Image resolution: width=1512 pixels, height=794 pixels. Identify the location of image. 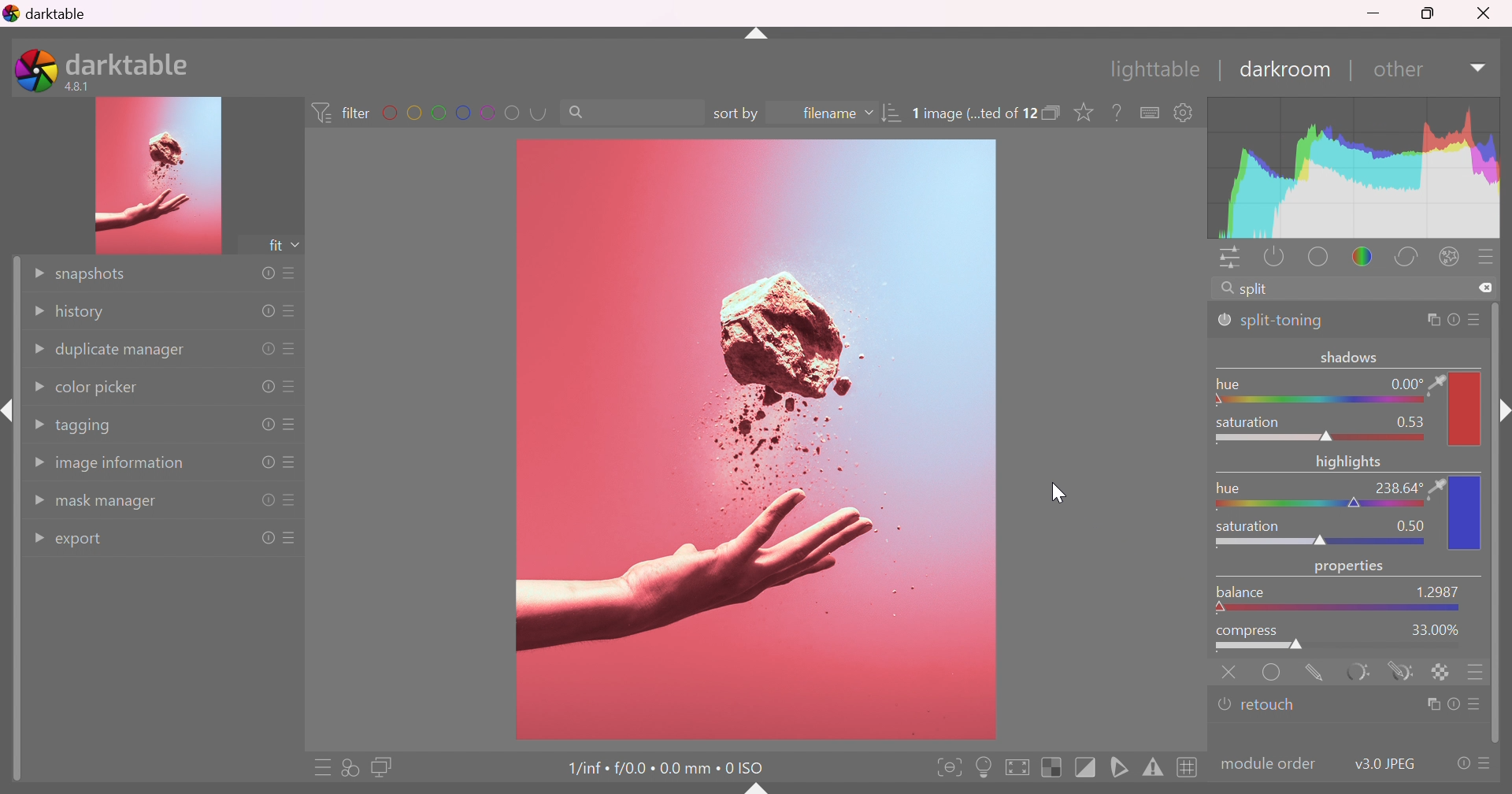
(758, 440).